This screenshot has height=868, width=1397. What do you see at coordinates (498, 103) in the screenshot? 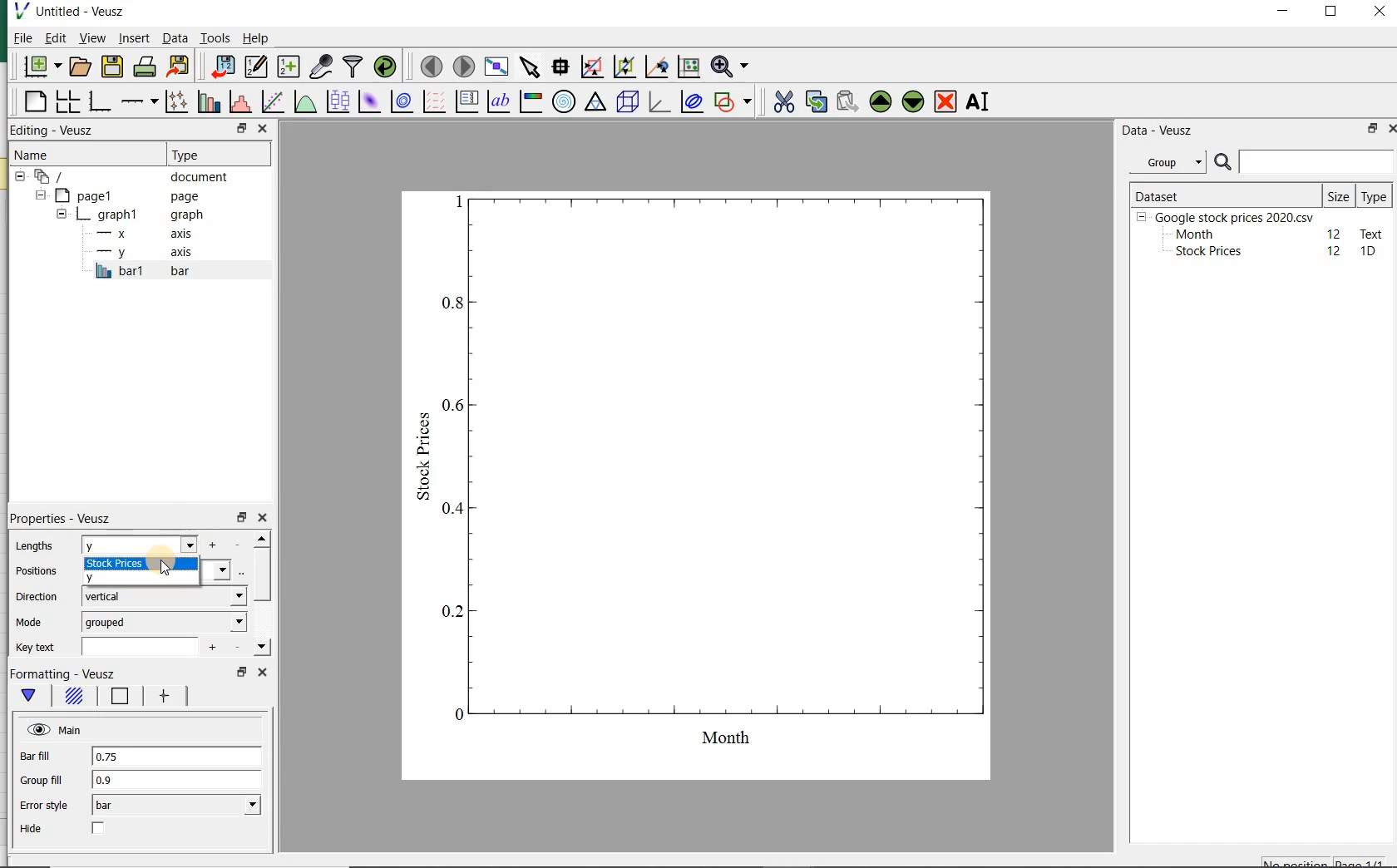
I see `text label` at bounding box center [498, 103].